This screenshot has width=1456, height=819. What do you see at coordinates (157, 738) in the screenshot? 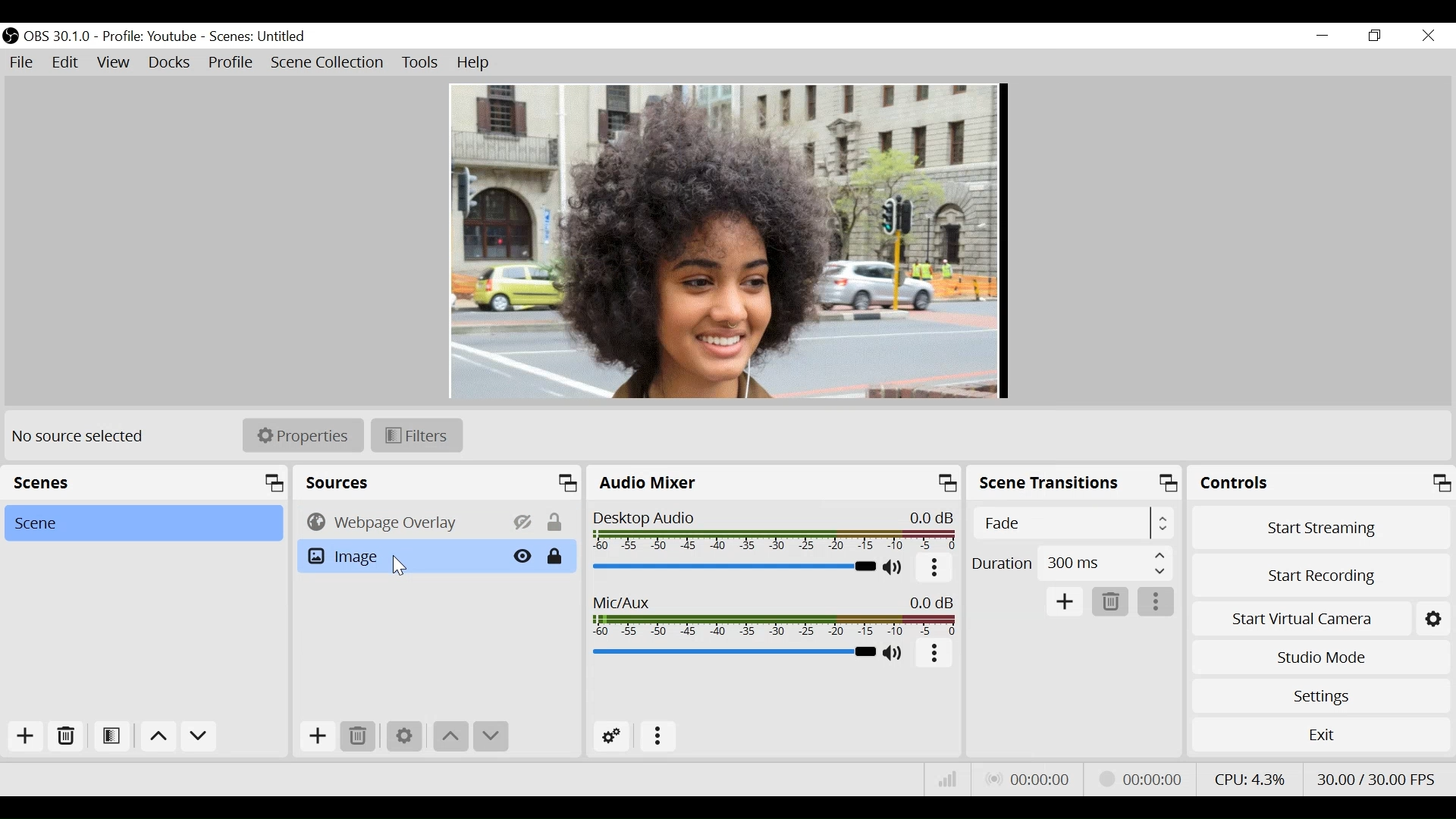
I see `Move Up` at bounding box center [157, 738].